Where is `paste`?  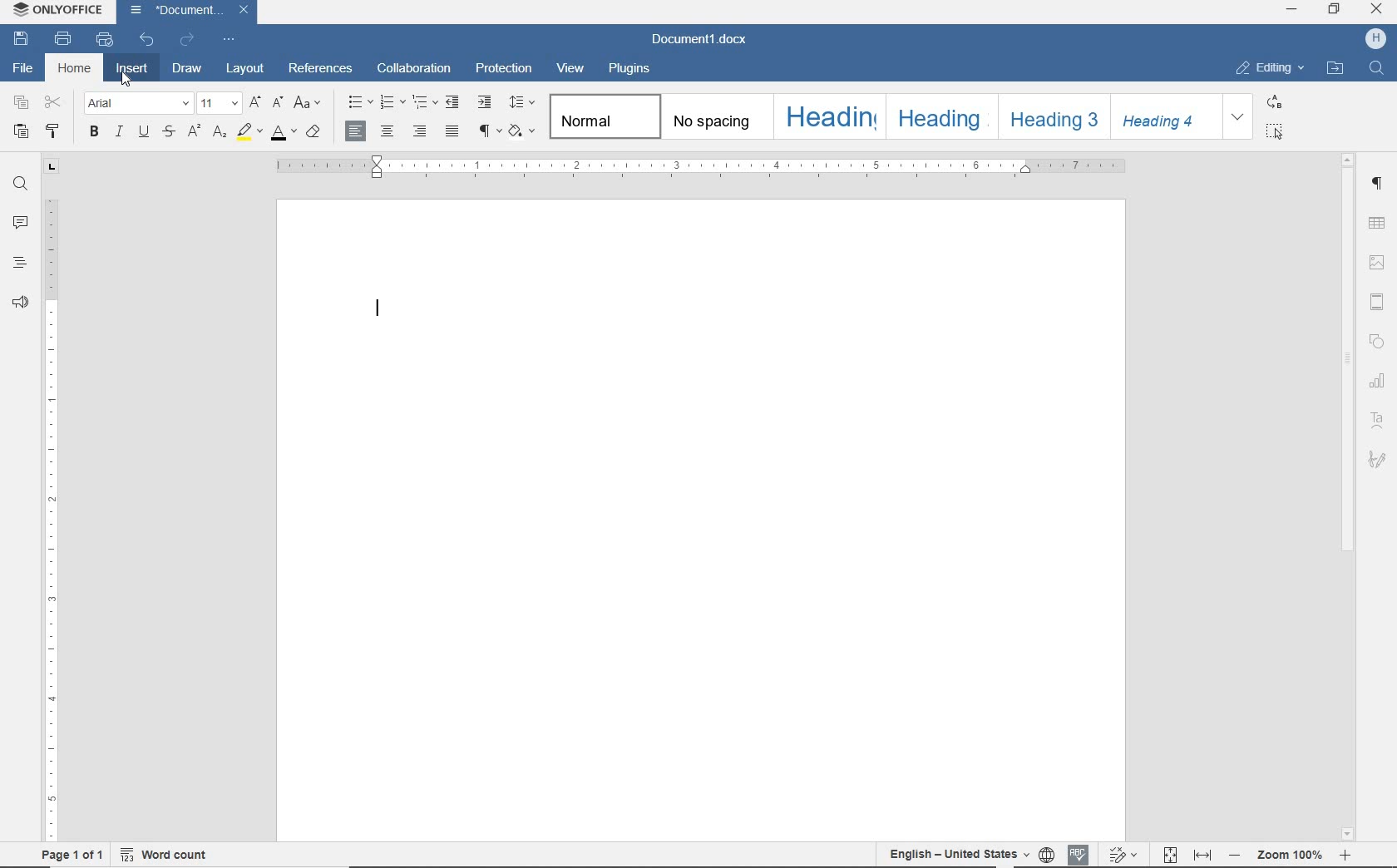 paste is located at coordinates (20, 133).